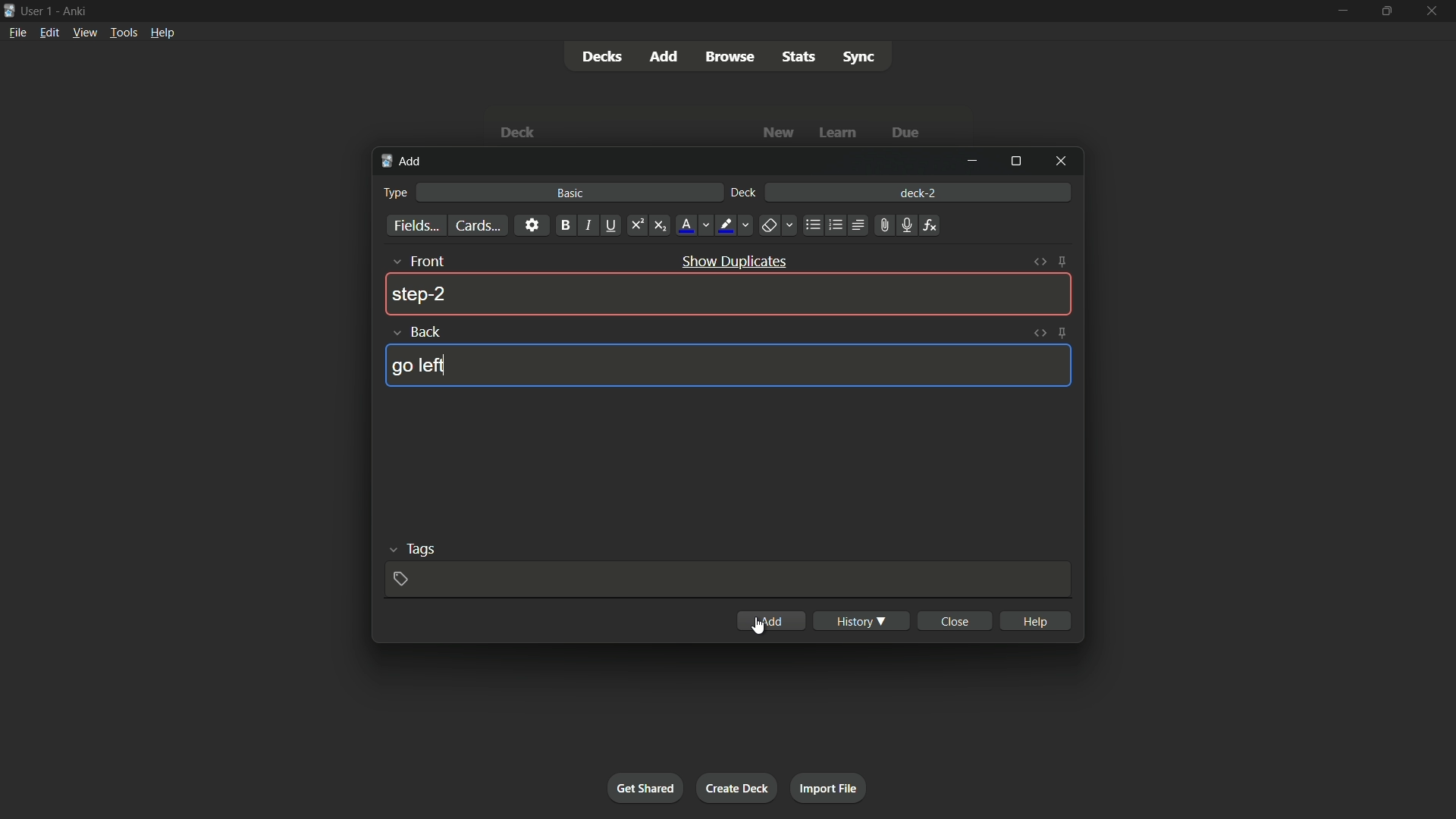  I want to click on view menu, so click(84, 33).